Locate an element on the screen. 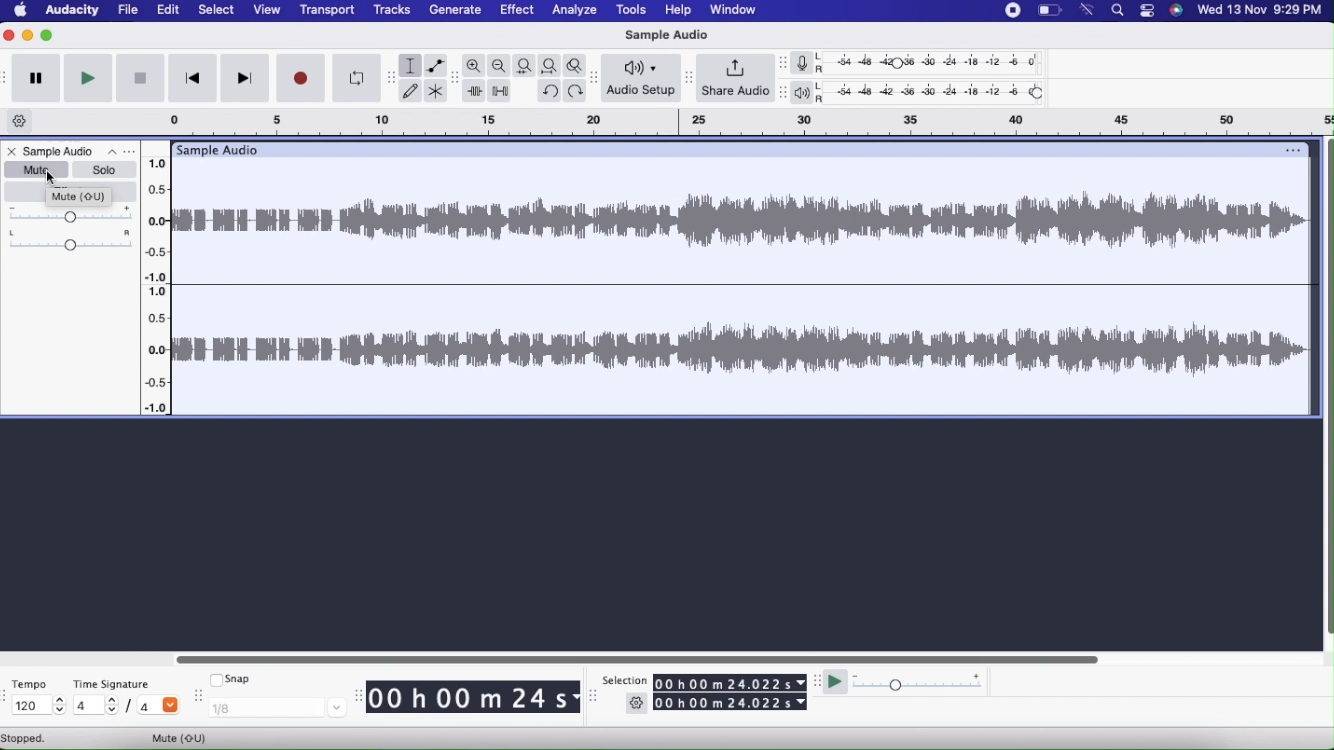 The width and height of the screenshot is (1334, 750). Adjust is located at coordinates (779, 92).